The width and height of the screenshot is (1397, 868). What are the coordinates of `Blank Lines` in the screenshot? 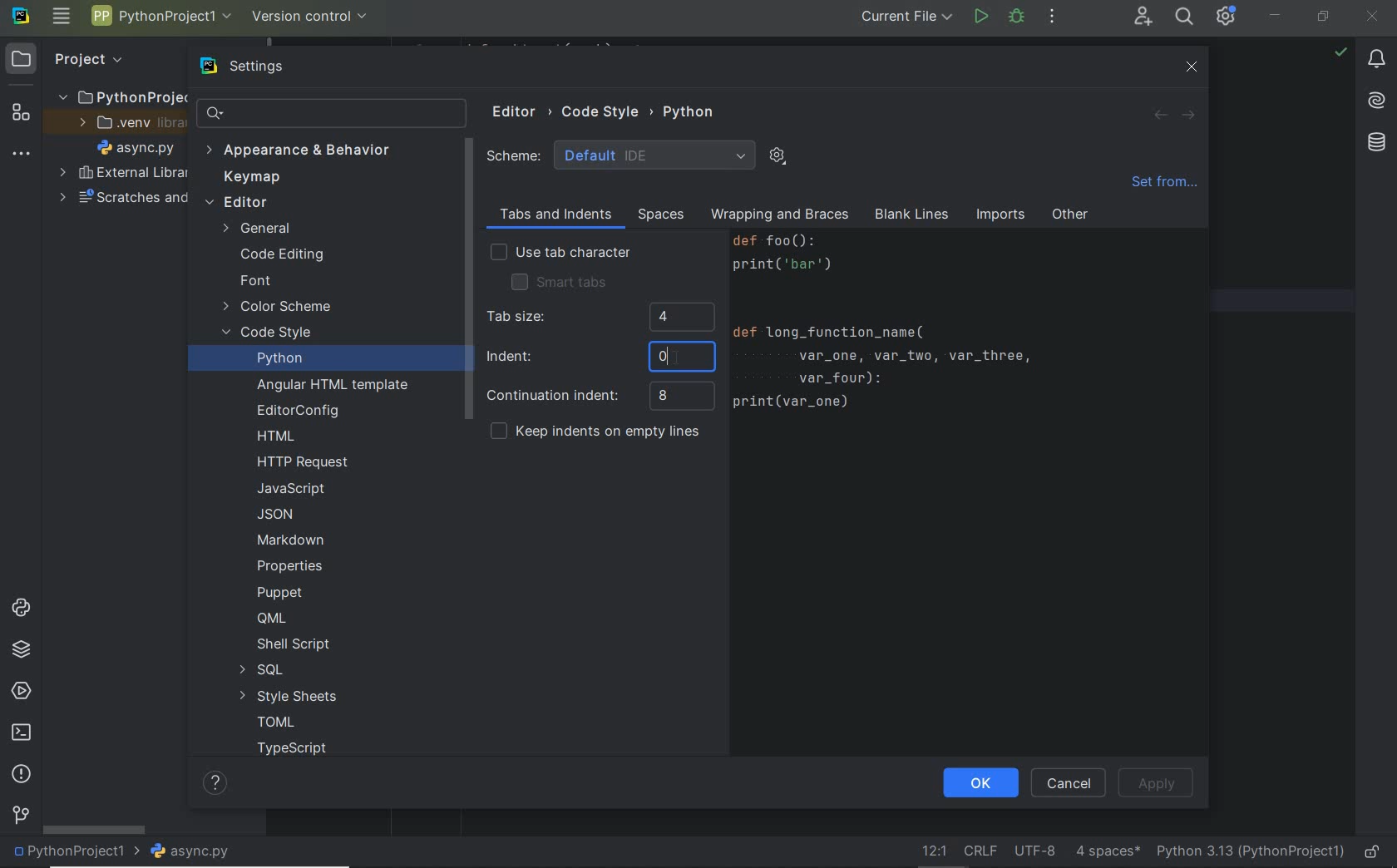 It's located at (912, 216).